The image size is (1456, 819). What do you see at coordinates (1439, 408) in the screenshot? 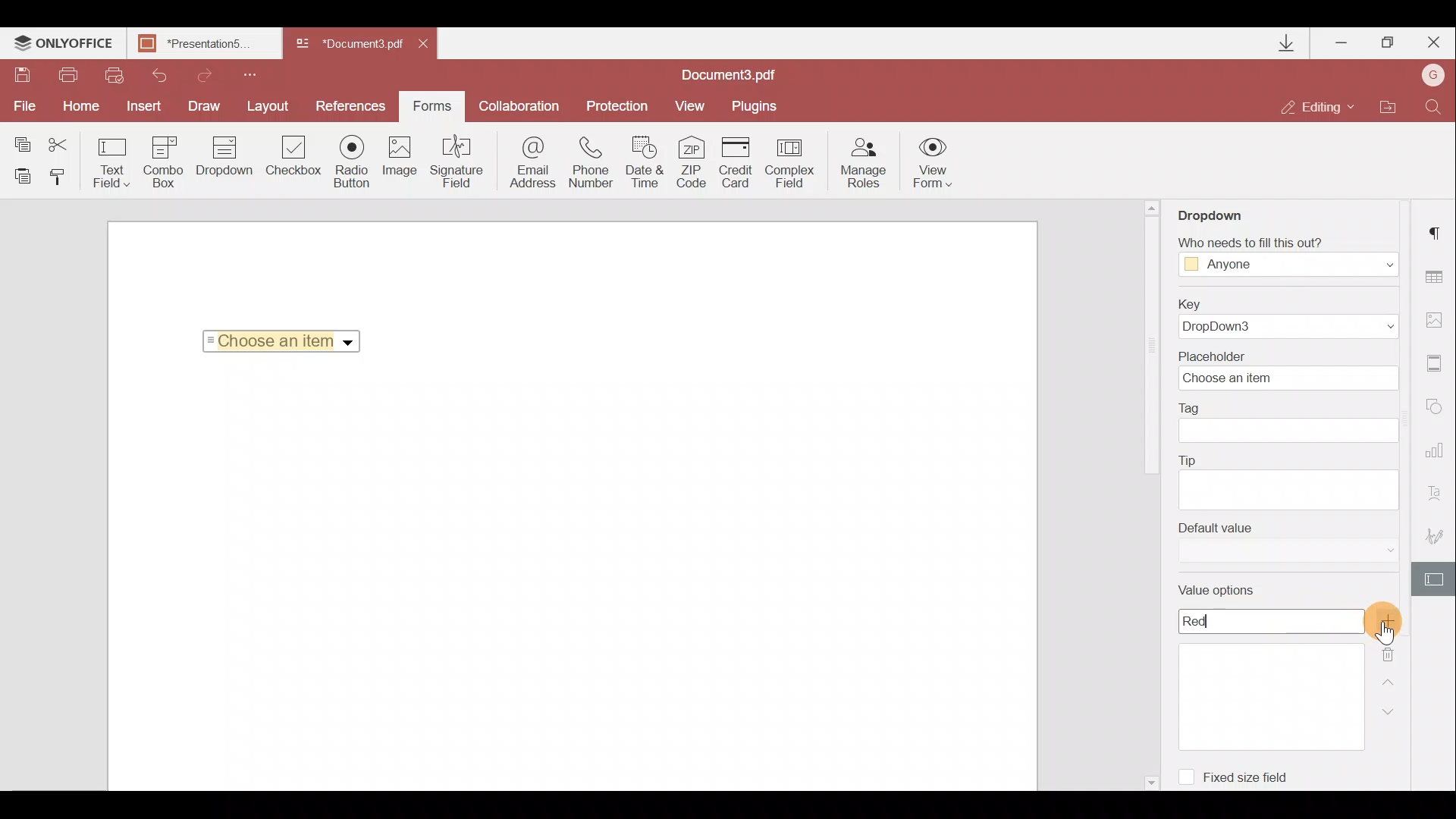
I see `Shapes settings` at bounding box center [1439, 408].